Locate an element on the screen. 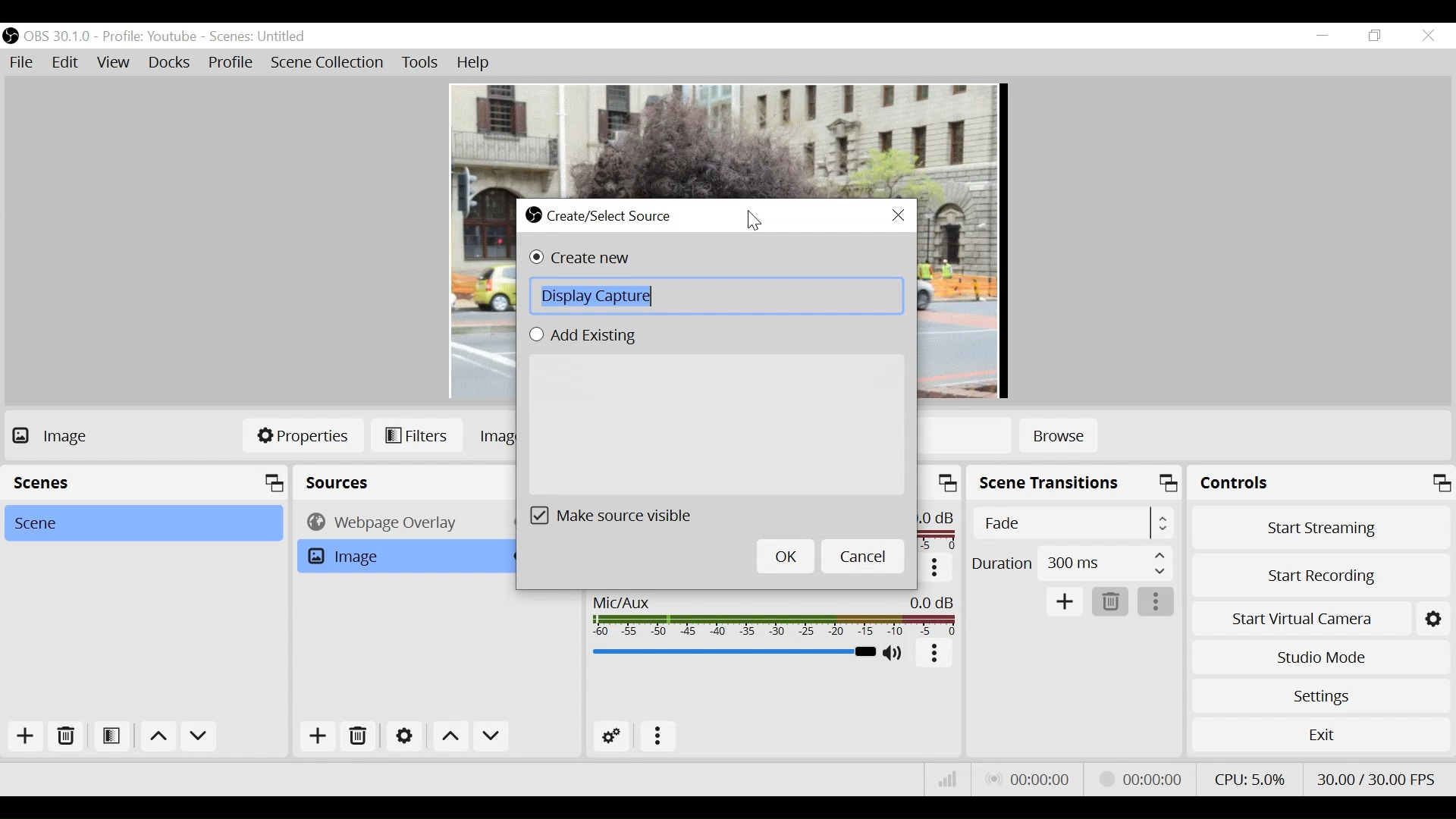 This screenshot has height=819, width=1456. Profile is located at coordinates (231, 64).